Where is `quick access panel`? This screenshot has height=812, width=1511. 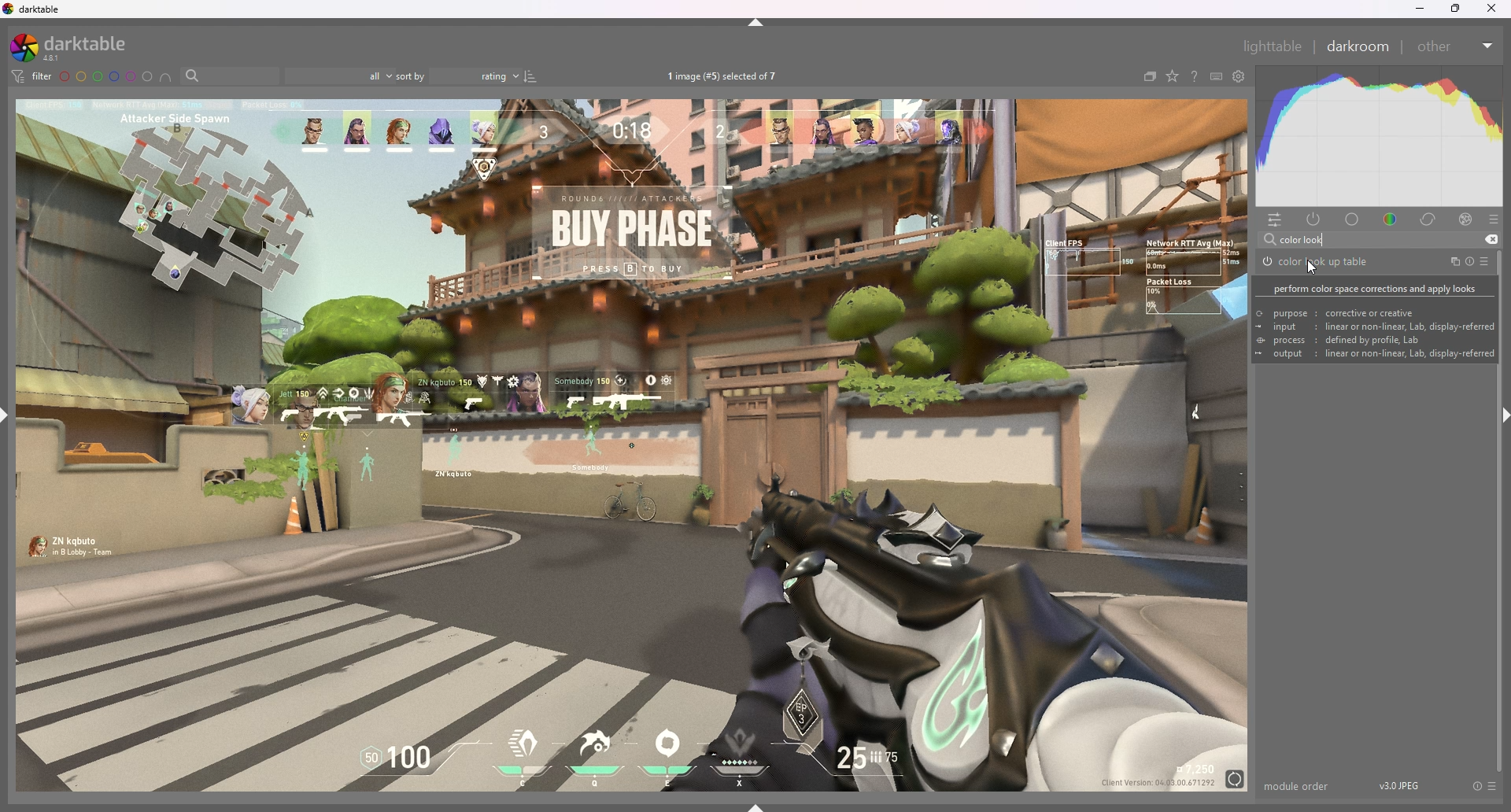
quick access panel is located at coordinates (1274, 221).